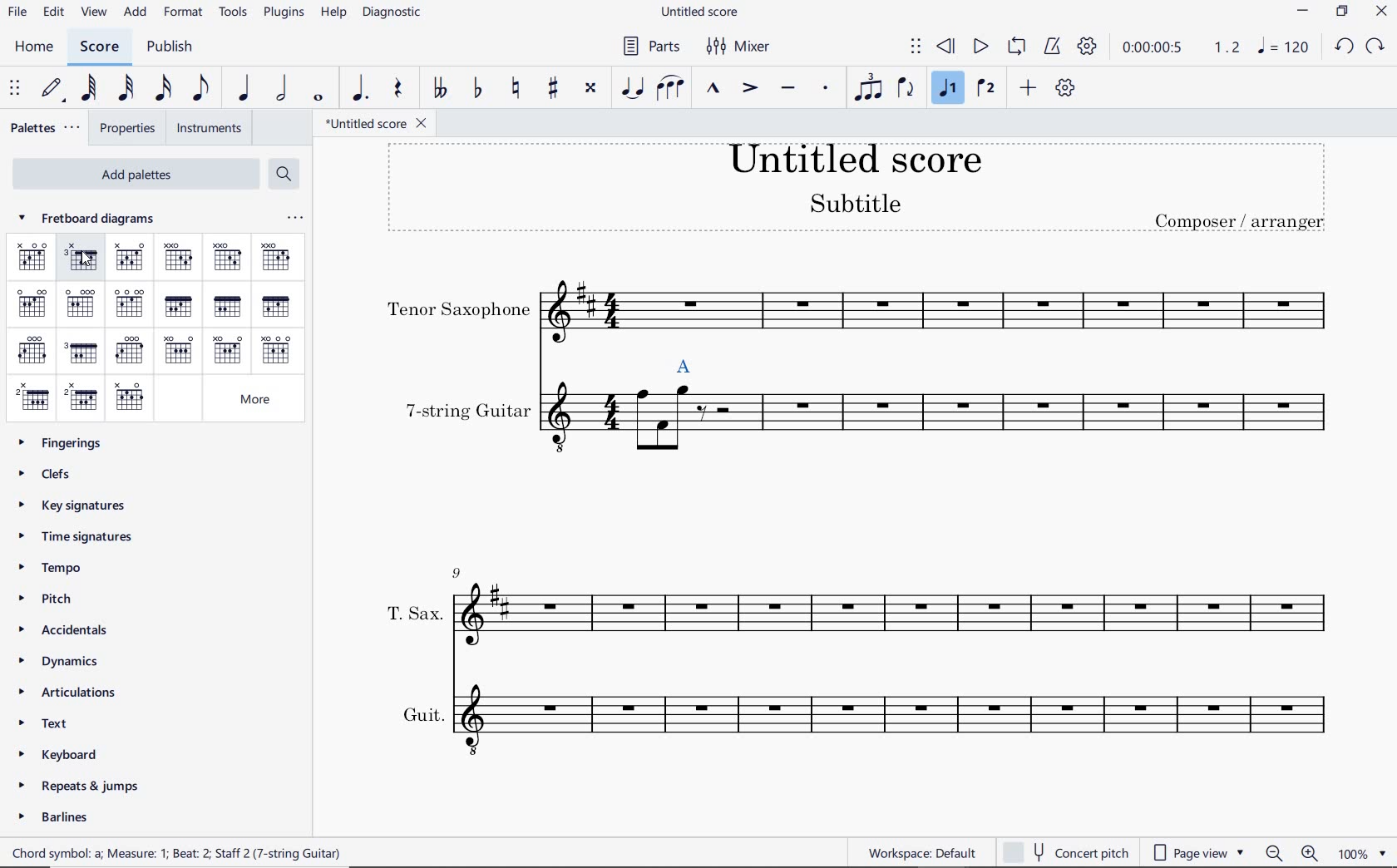 Image resolution: width=1397 pixels, height=868 pixels. I want to click on PLAY SPEED, so click(1181, 47).